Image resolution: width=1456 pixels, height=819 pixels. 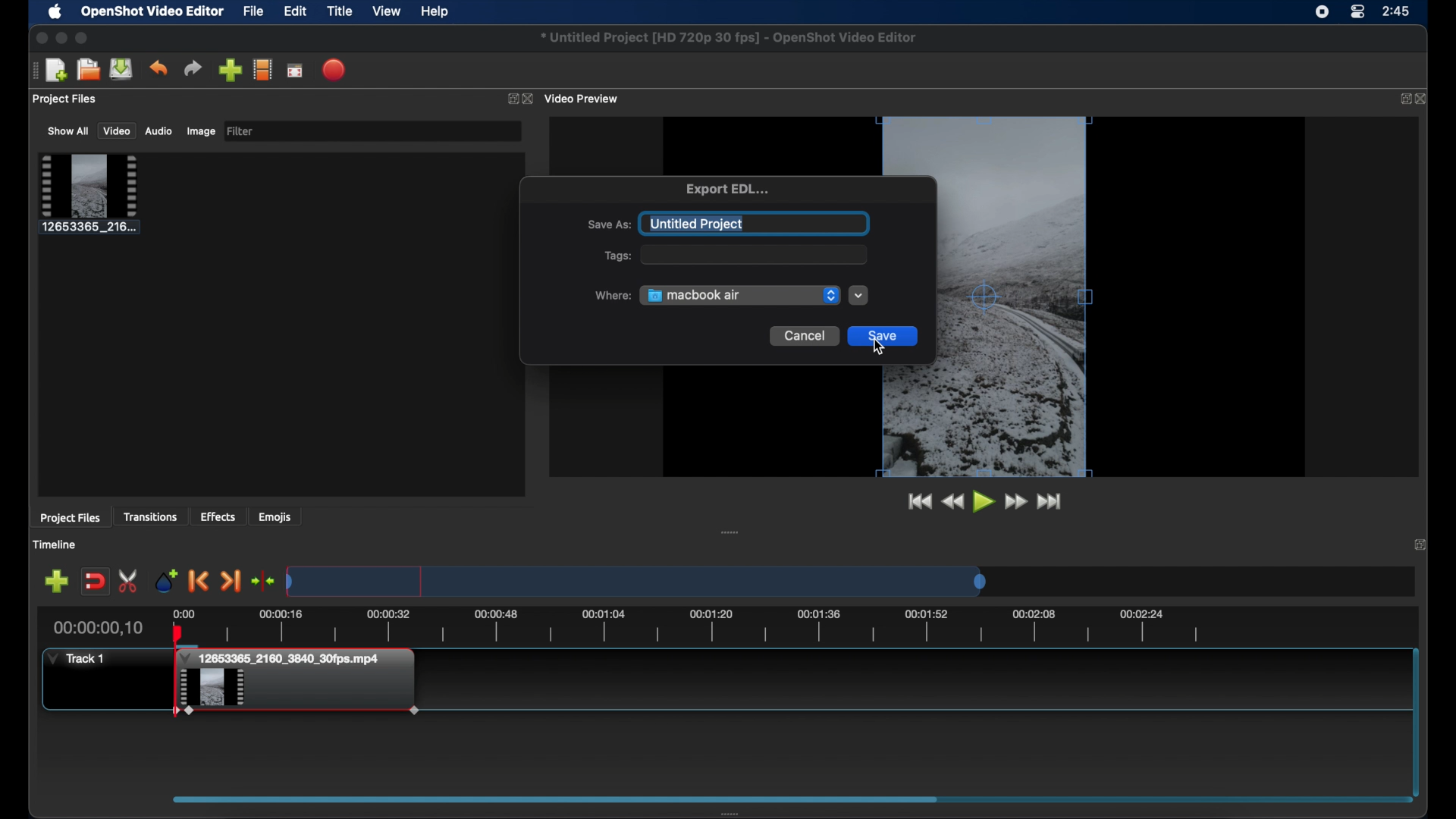 What do you see at coordinates (528, 99) in the screenshot?
I see `close` at bounding box center [528, 99].